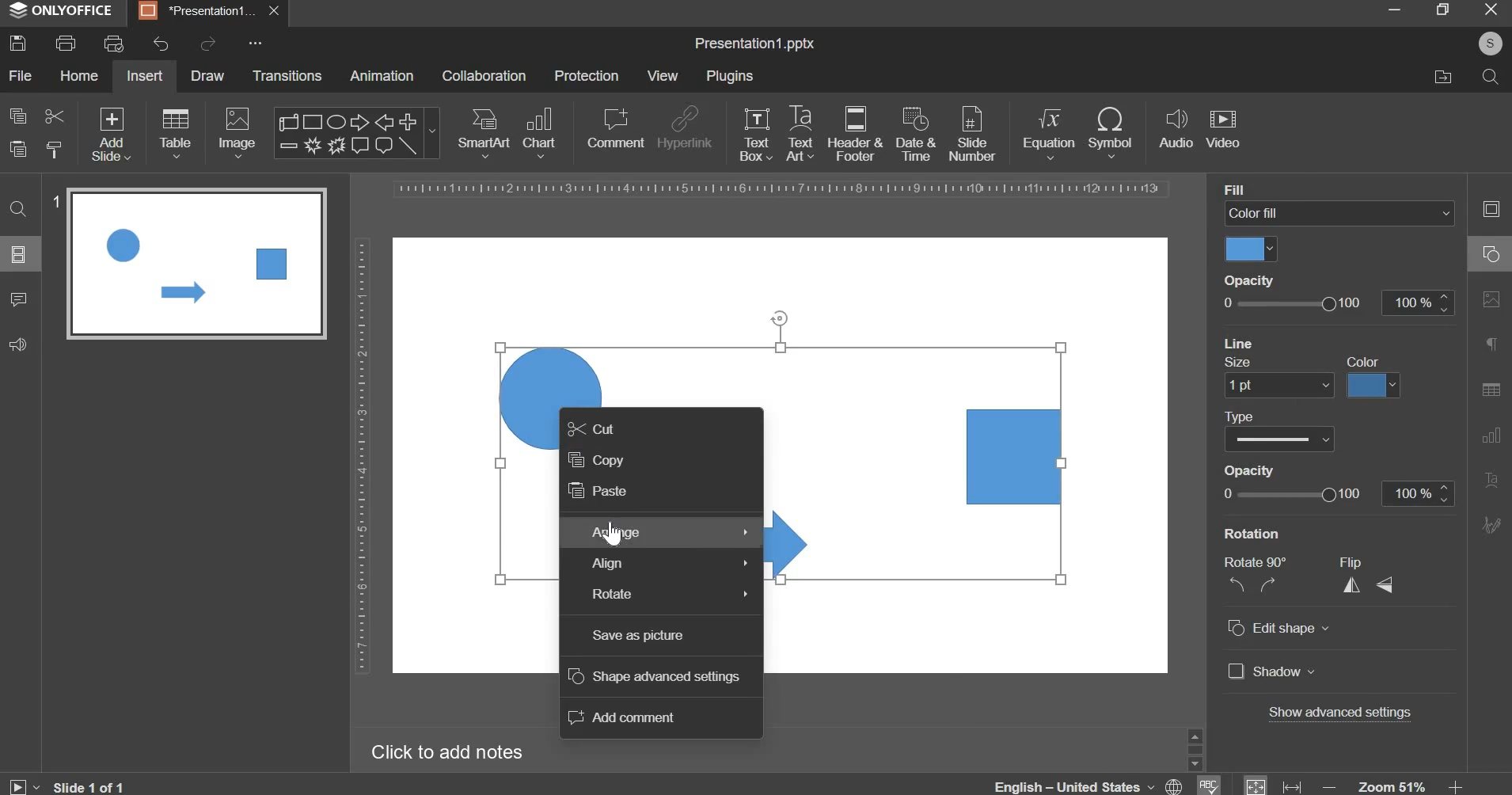 Image resolution: width=1512 pixels, height=795 pixels. I want to click on opacity, so click(1269, 471).